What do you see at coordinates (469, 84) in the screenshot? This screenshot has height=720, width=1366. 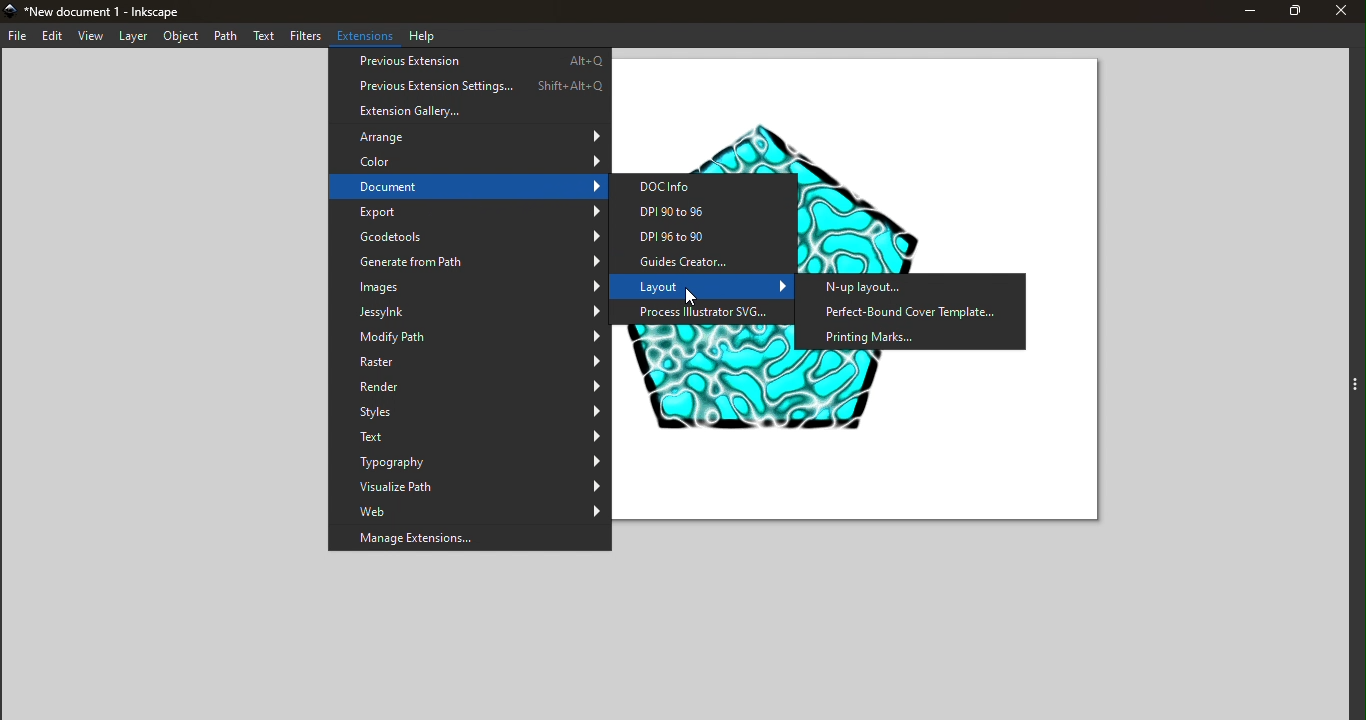 I see `Previous Extension Settings...` at bounding box center [469, 84].